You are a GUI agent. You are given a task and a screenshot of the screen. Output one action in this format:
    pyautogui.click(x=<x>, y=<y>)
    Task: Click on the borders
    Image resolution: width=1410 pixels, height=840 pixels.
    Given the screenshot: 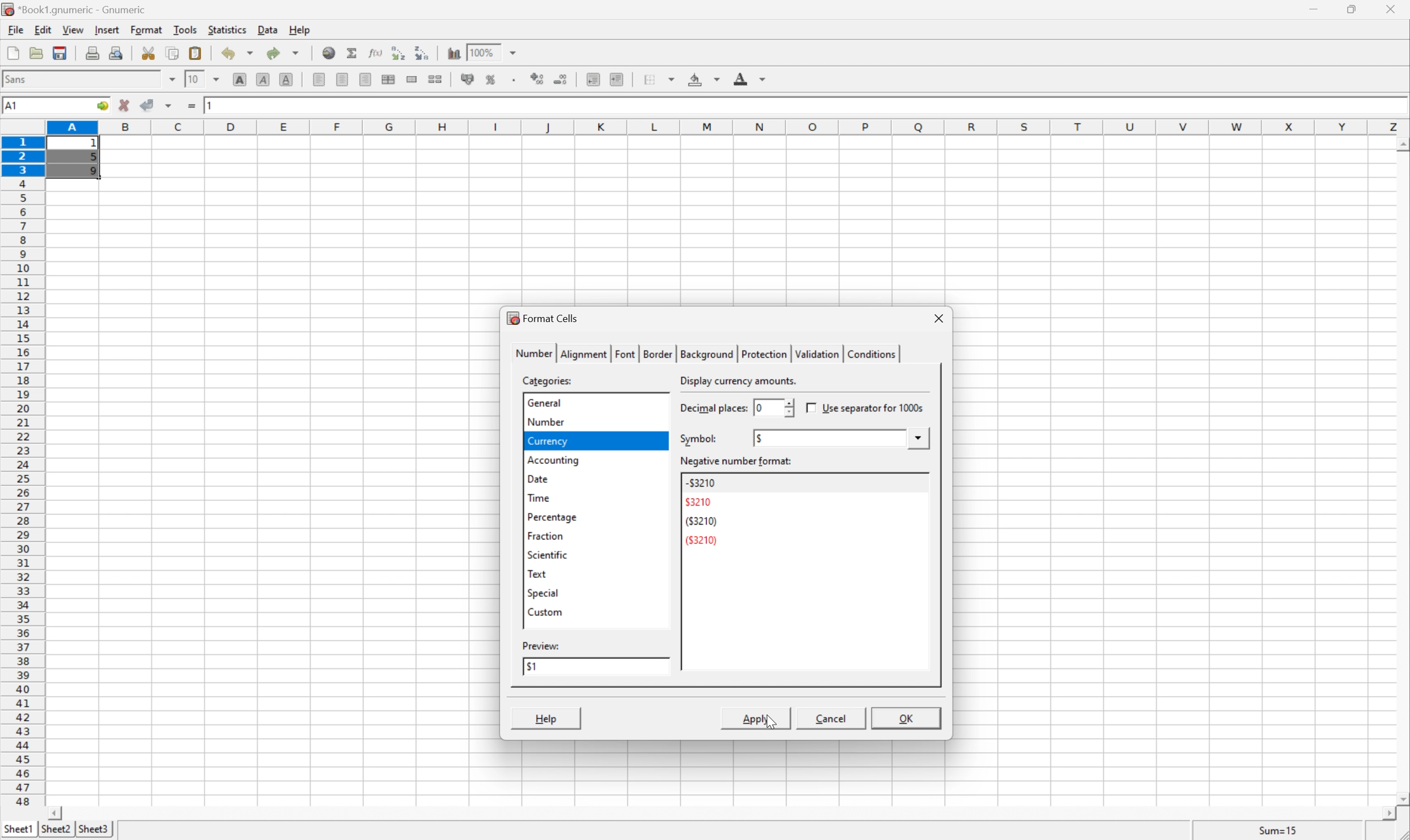 What is the action you would take?
    pyautogui.click(x=657, y=79)
    